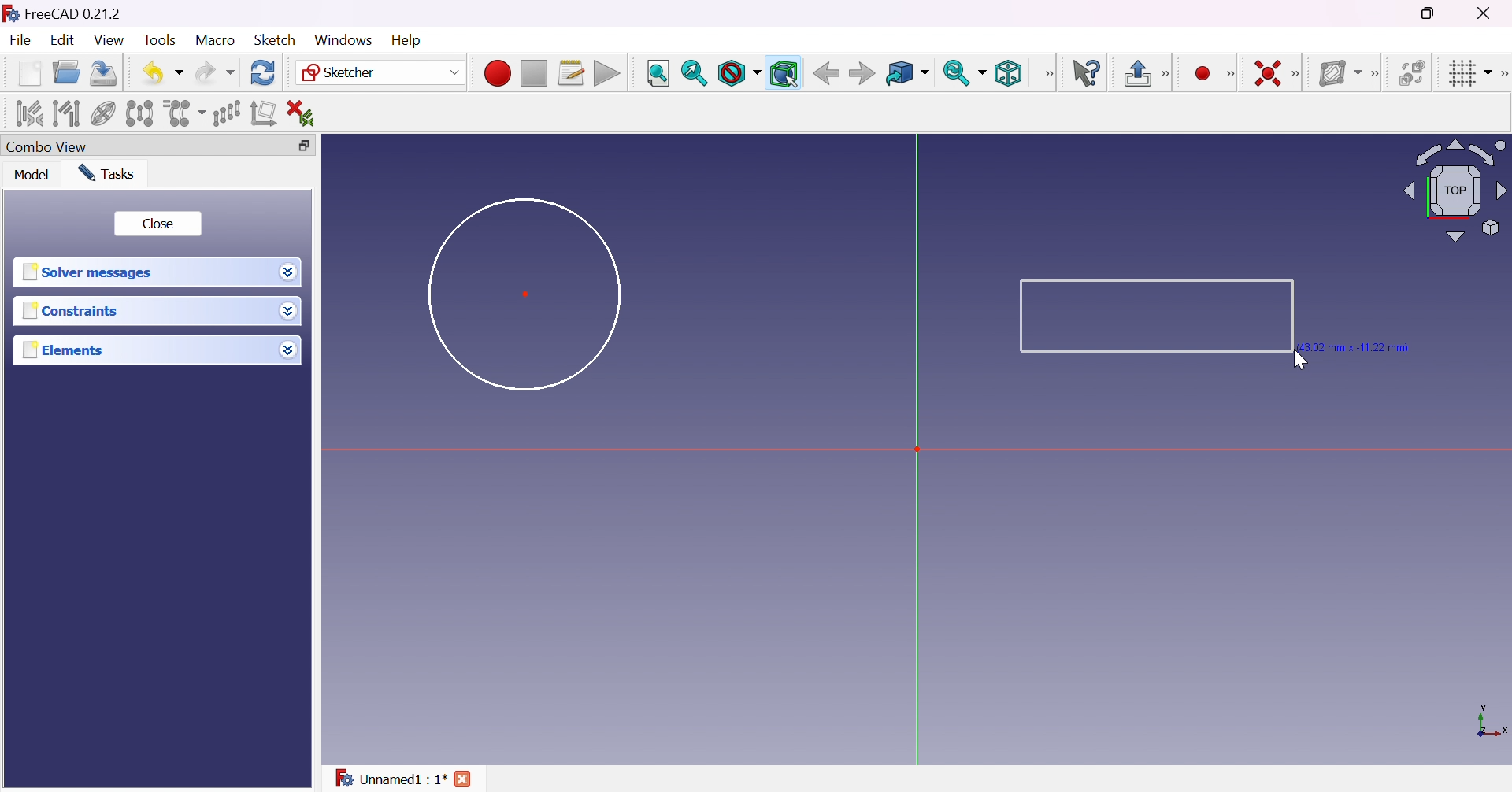 The image size is (1512, 792). I want to click on Remove axes alignment, so click(264, 114).